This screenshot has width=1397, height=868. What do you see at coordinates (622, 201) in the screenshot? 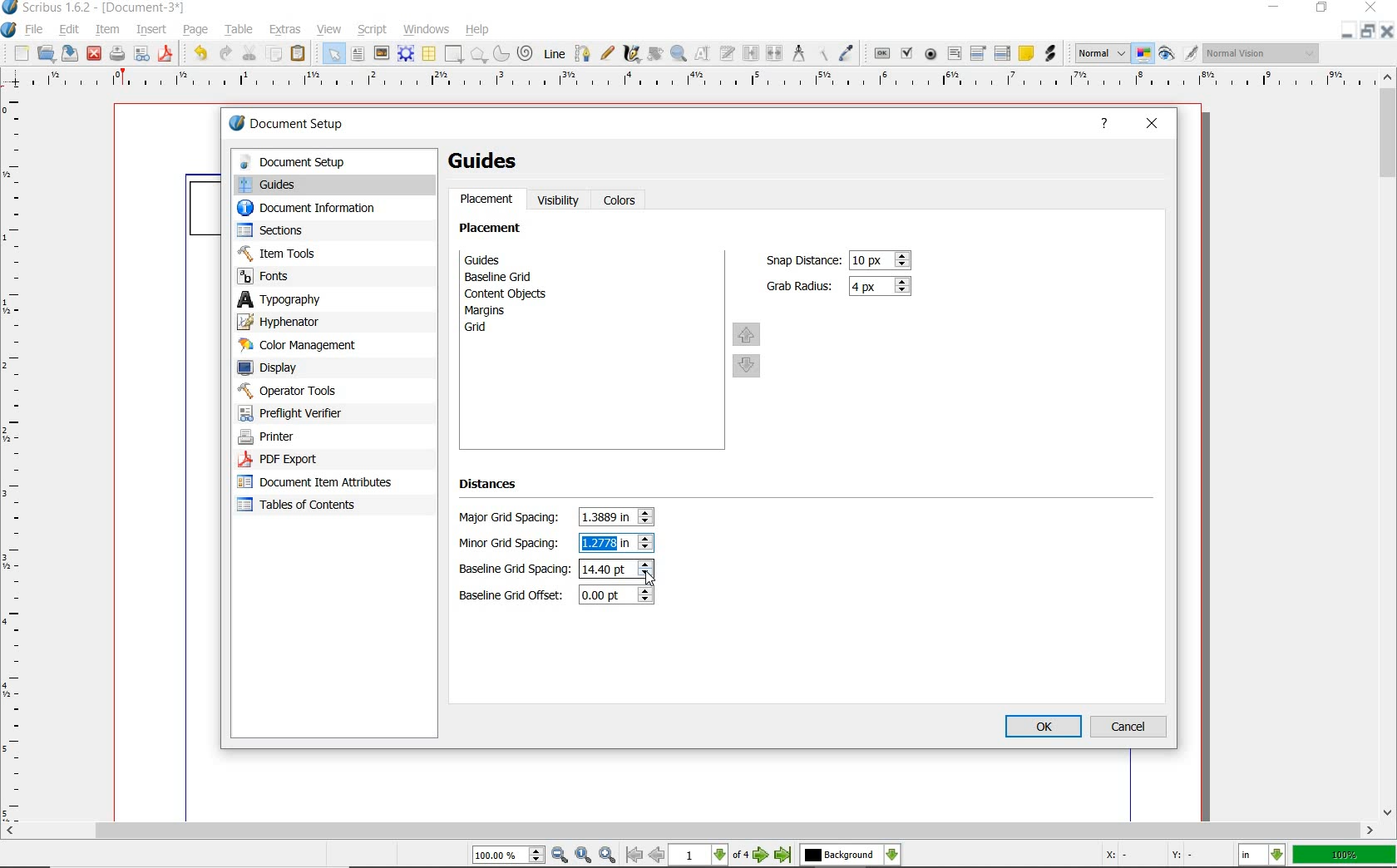
I see `colors` at bounding box center [622, 201].